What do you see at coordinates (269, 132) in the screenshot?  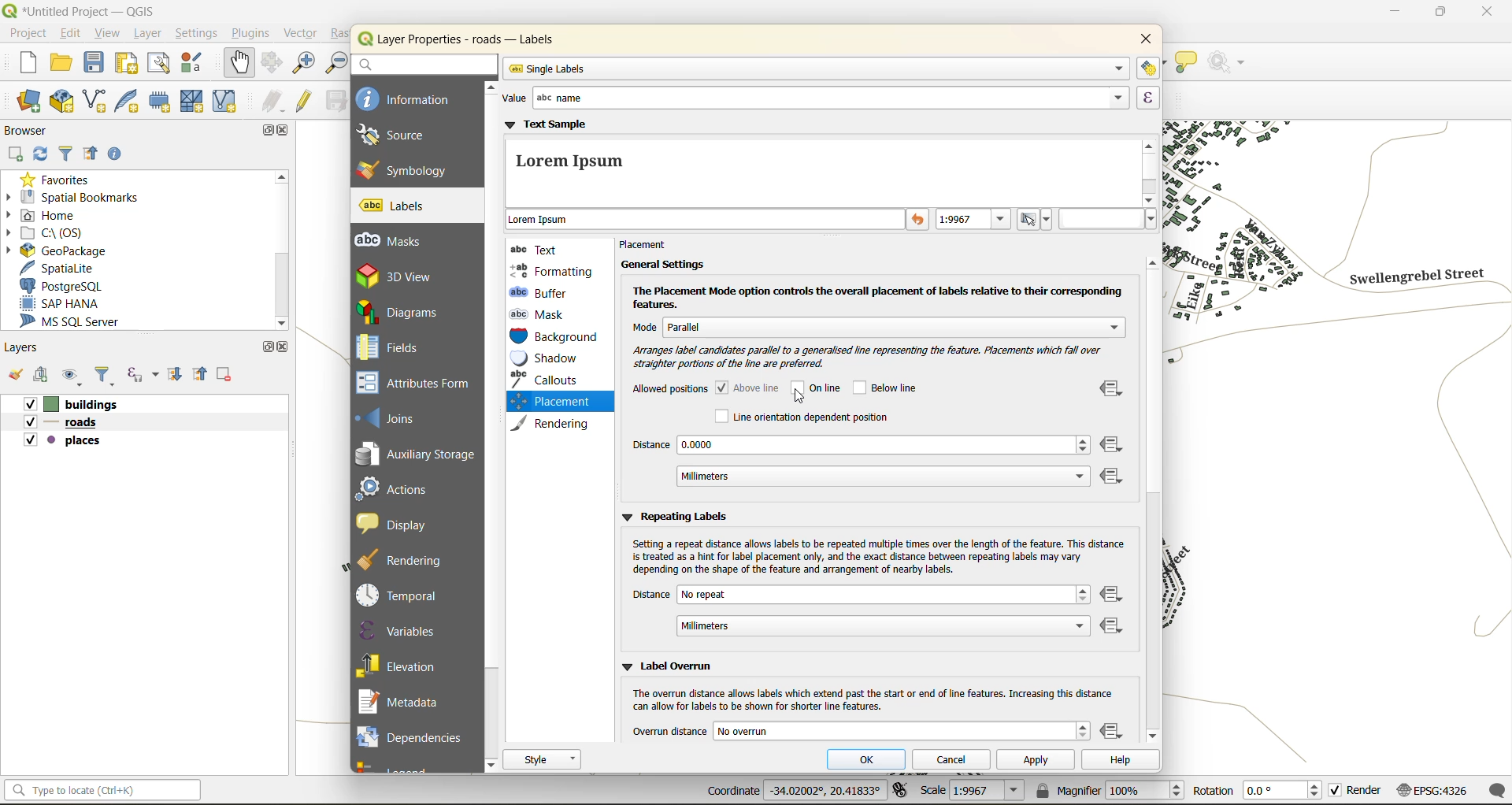 I see `maximize` at bounding box center [269, 132].